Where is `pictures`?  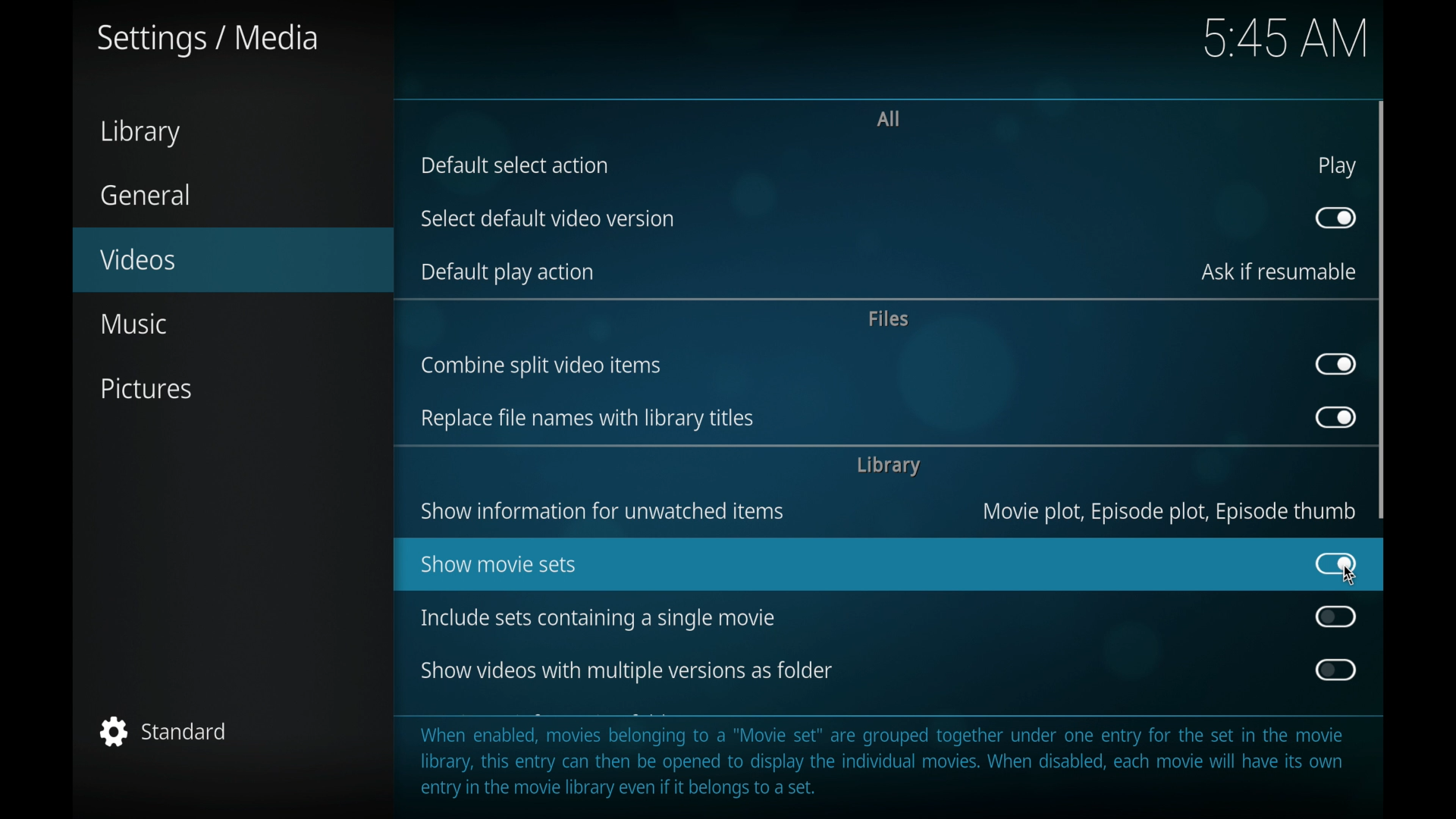
pictures is located at coordinates (149, 391).